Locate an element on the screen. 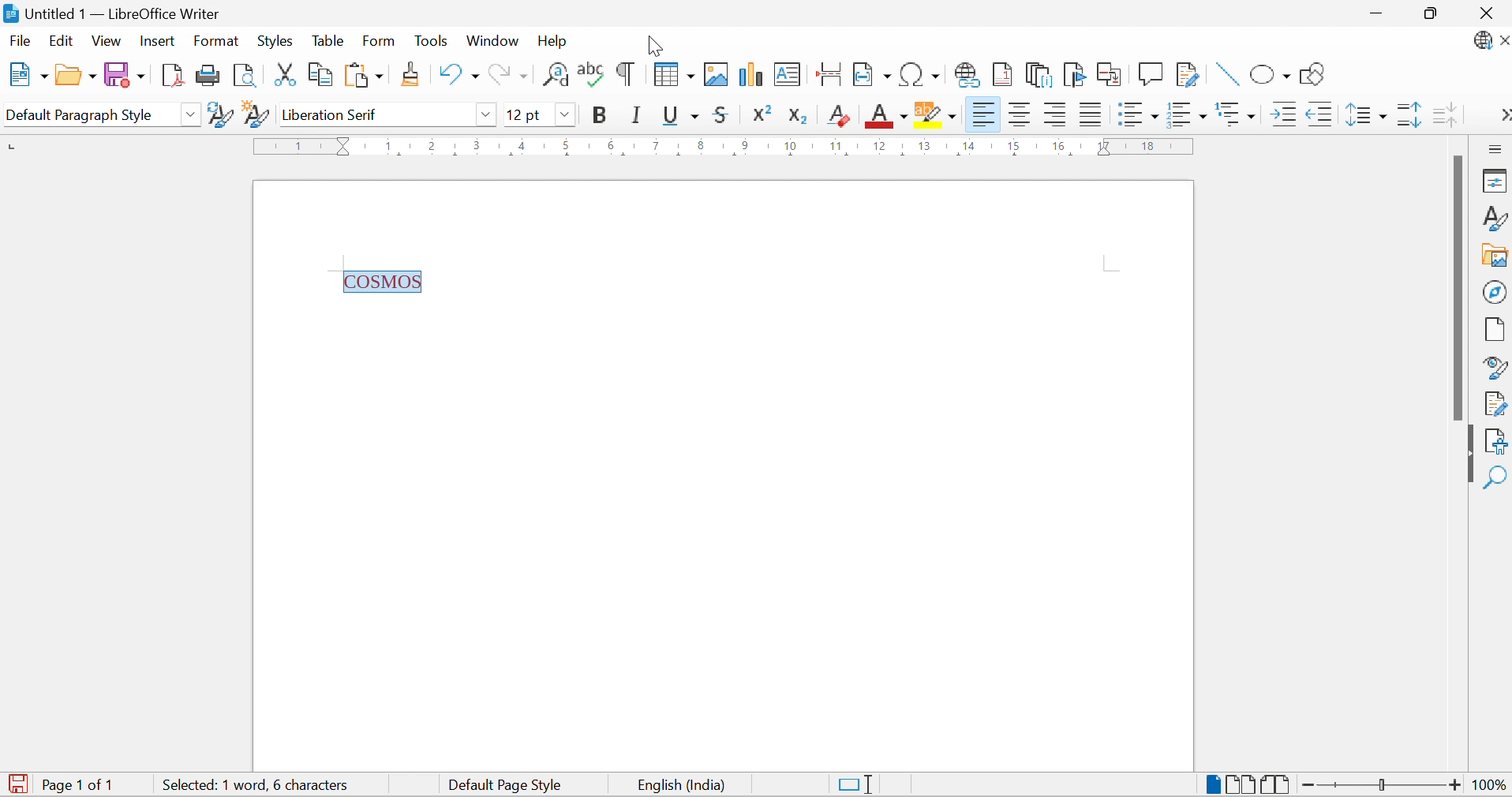 This screenshot has height=797, width=1512. Basic Shapes is located at coordinates (1271, 76).